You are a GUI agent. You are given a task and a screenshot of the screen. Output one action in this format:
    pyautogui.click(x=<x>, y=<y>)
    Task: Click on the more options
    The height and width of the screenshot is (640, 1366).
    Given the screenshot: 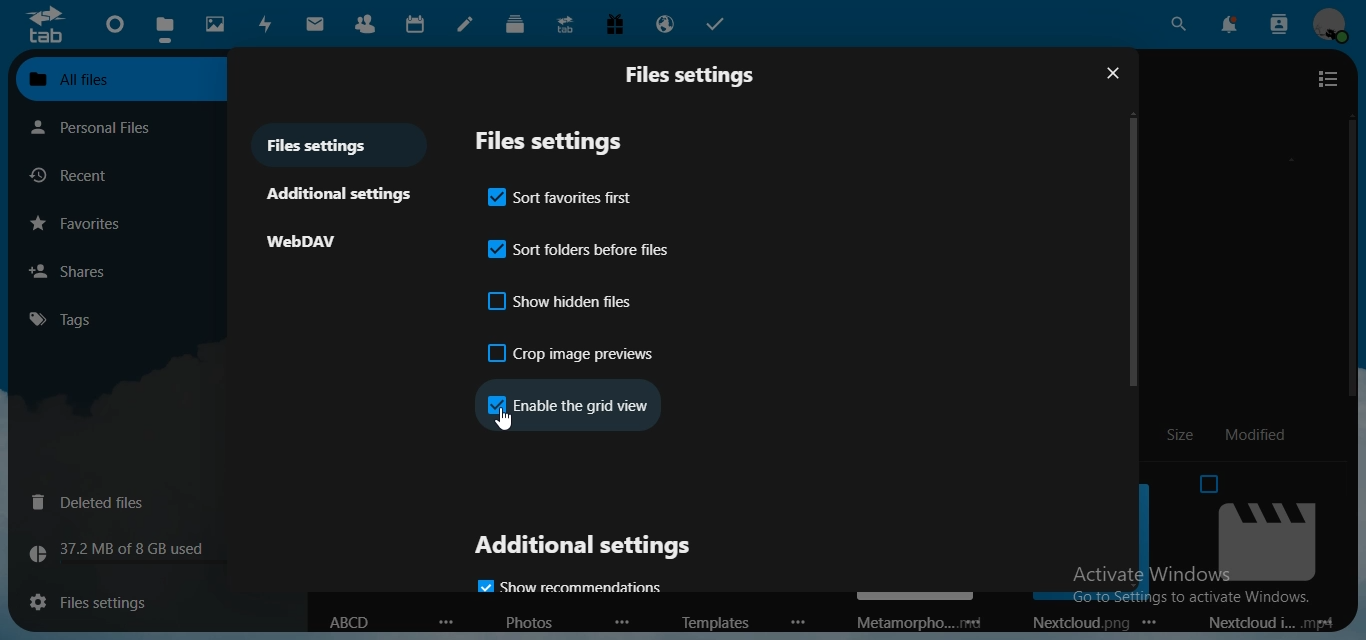 What is the action you would take?
    pyautogui.click(x=975, y=620)
    